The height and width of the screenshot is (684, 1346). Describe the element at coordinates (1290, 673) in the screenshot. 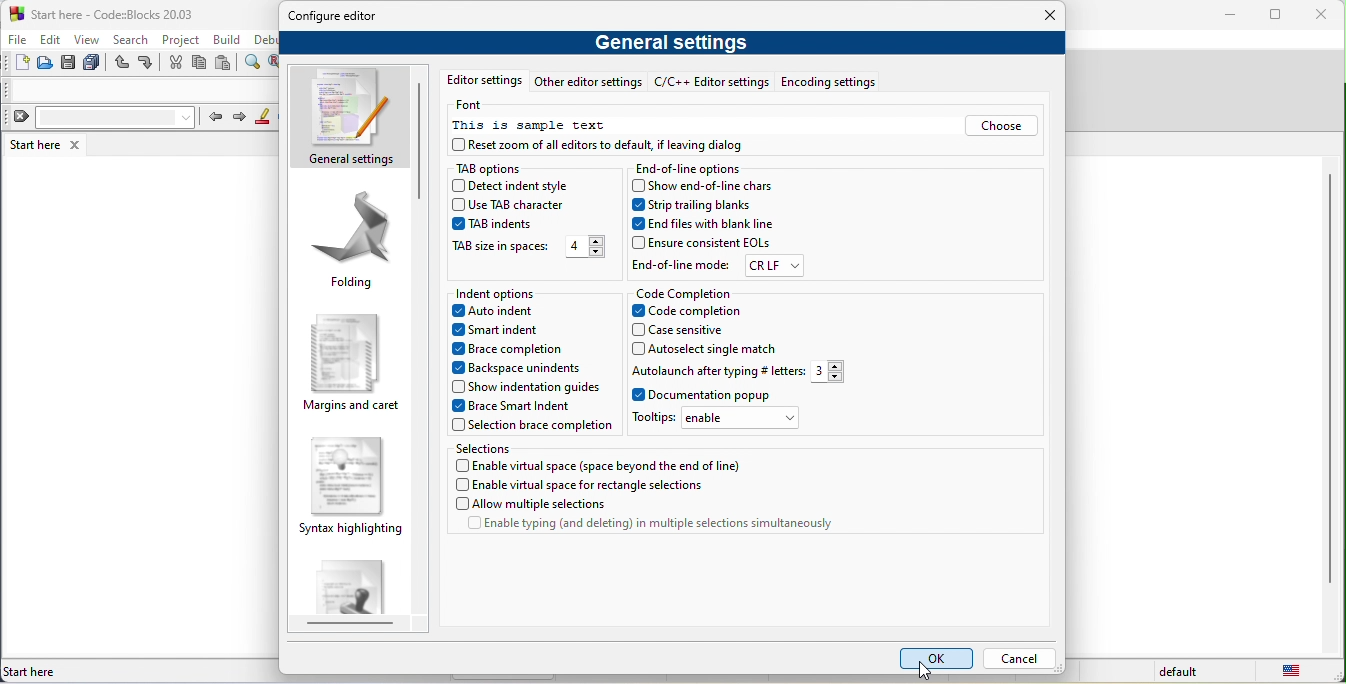

I see `united state` at that location.